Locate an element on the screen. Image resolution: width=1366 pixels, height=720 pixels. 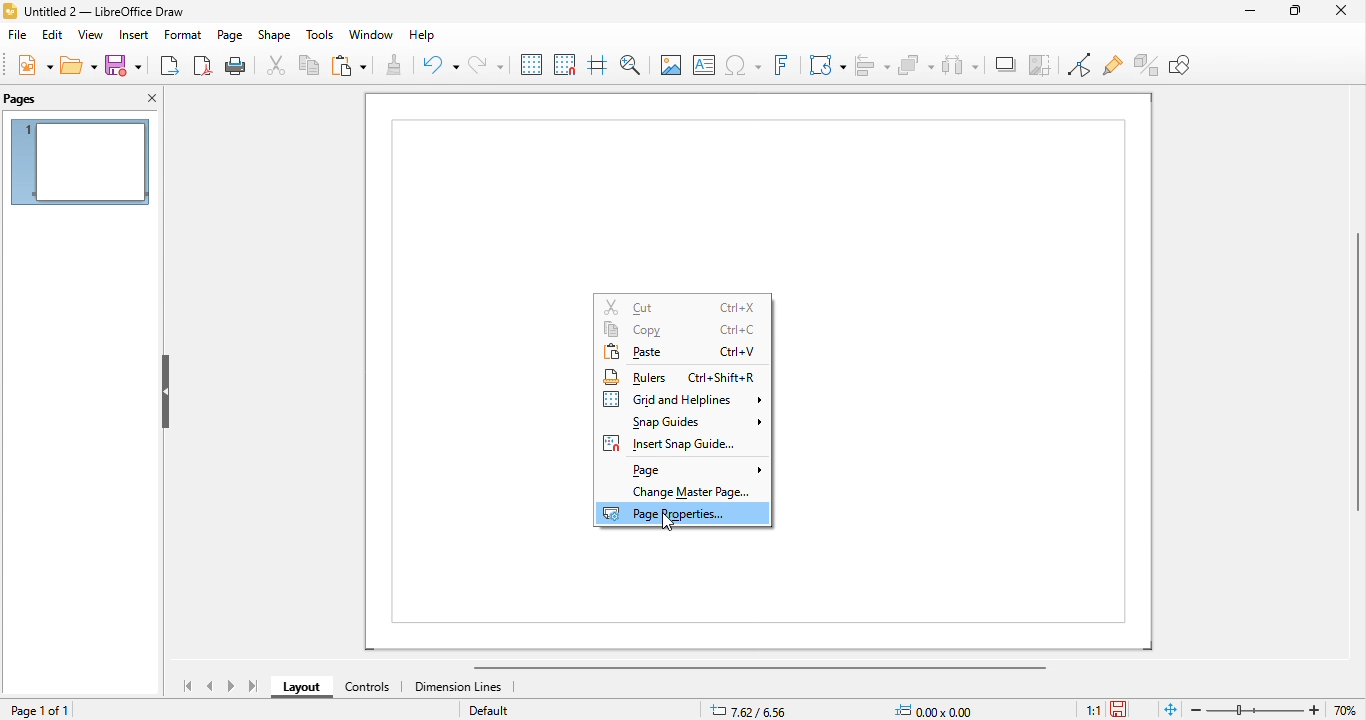
show gulepoint functions is located at coordinates (1112, 67).